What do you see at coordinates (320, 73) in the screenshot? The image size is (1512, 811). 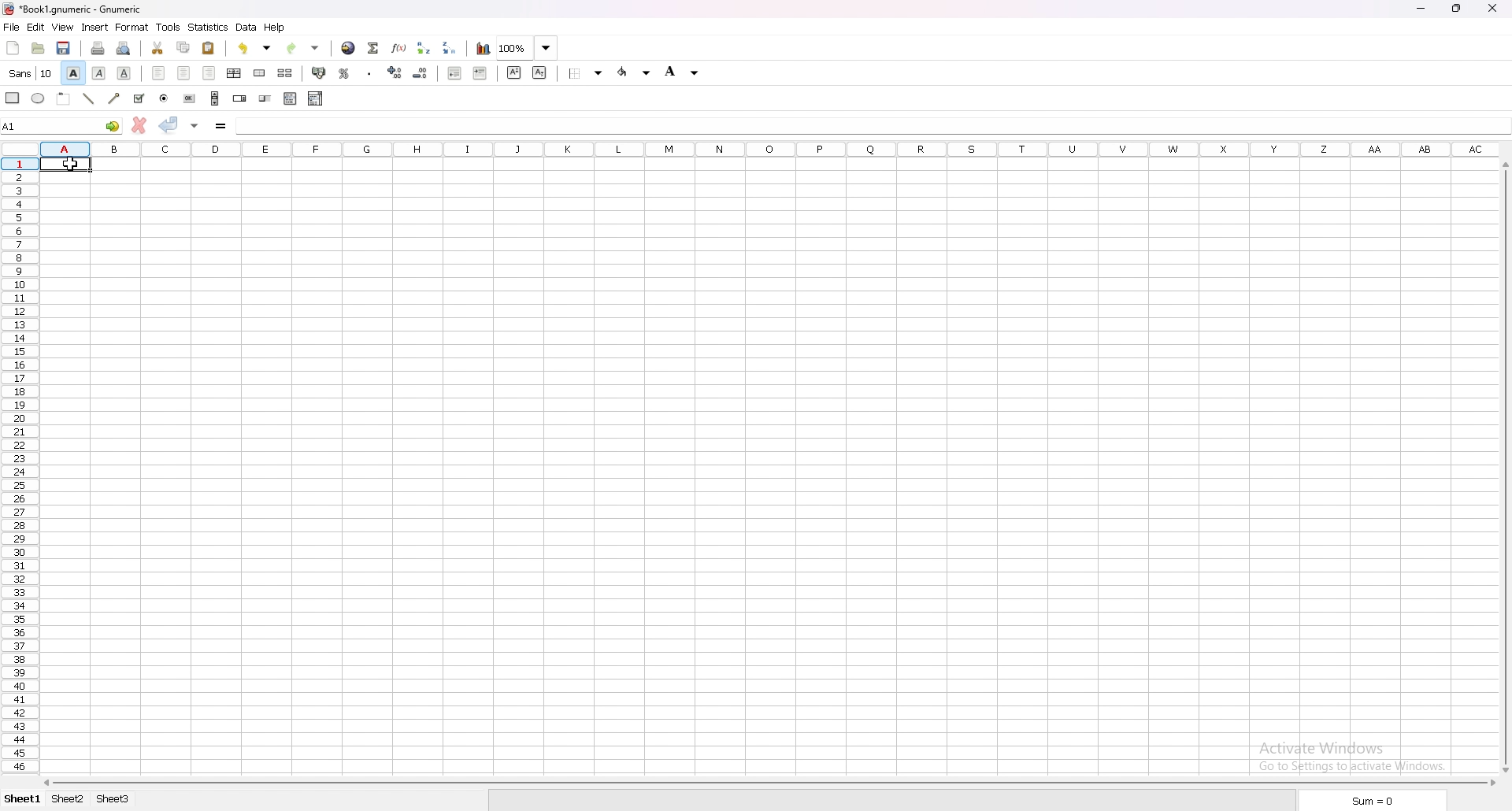 I see `accounting` at bounding box center [320, 73].